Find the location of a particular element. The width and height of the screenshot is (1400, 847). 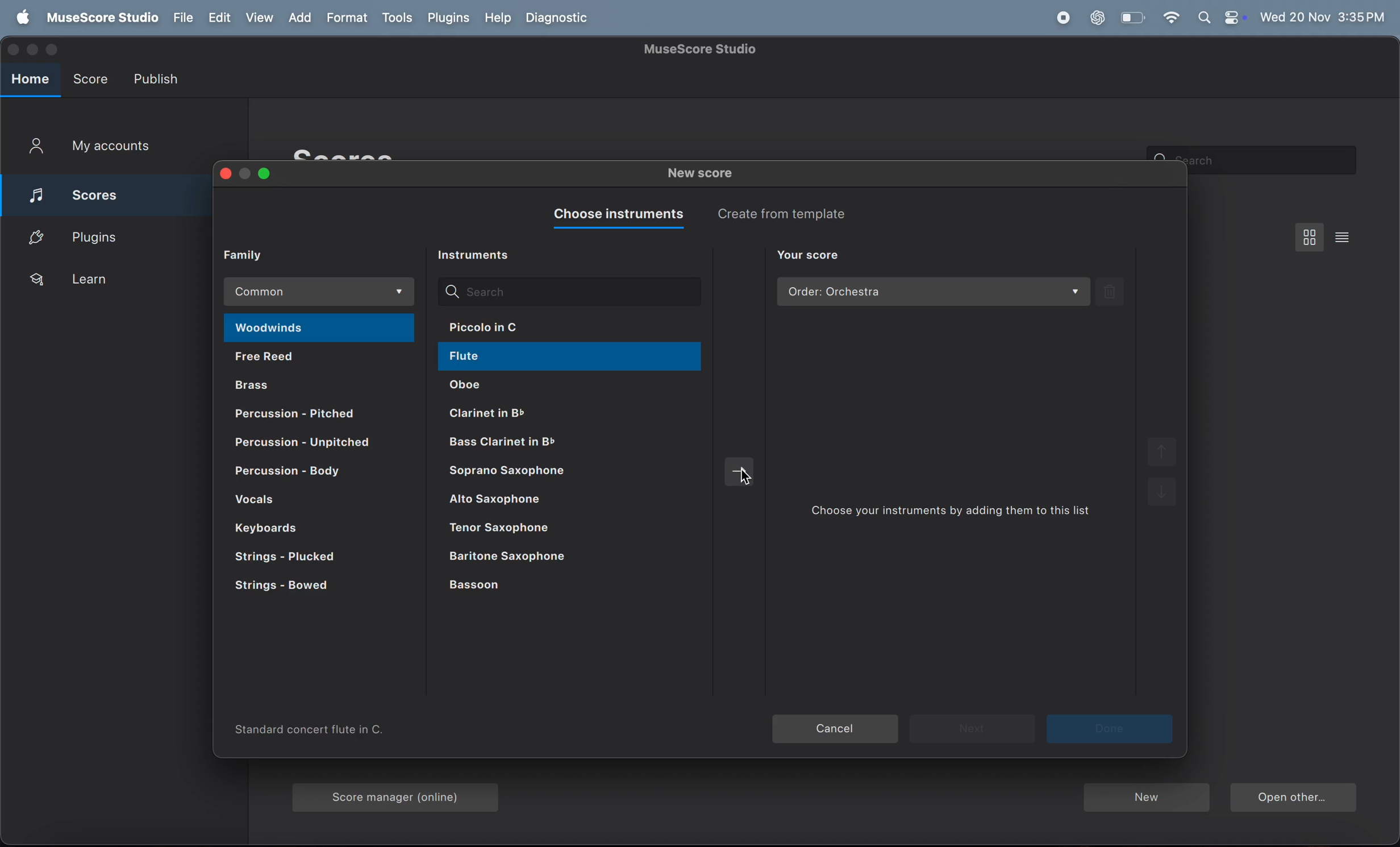

woodwinds is located at coordinates (318, 329).